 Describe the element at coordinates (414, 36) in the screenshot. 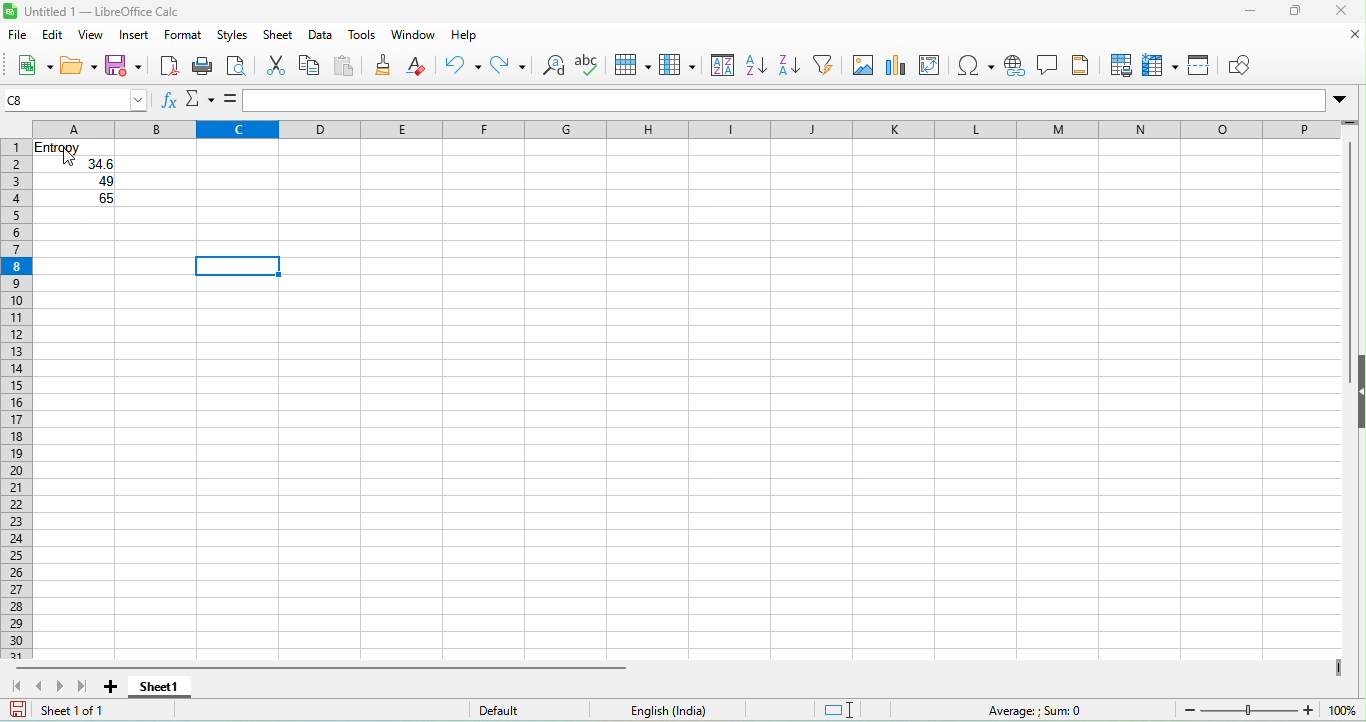

I see `window` at that location.